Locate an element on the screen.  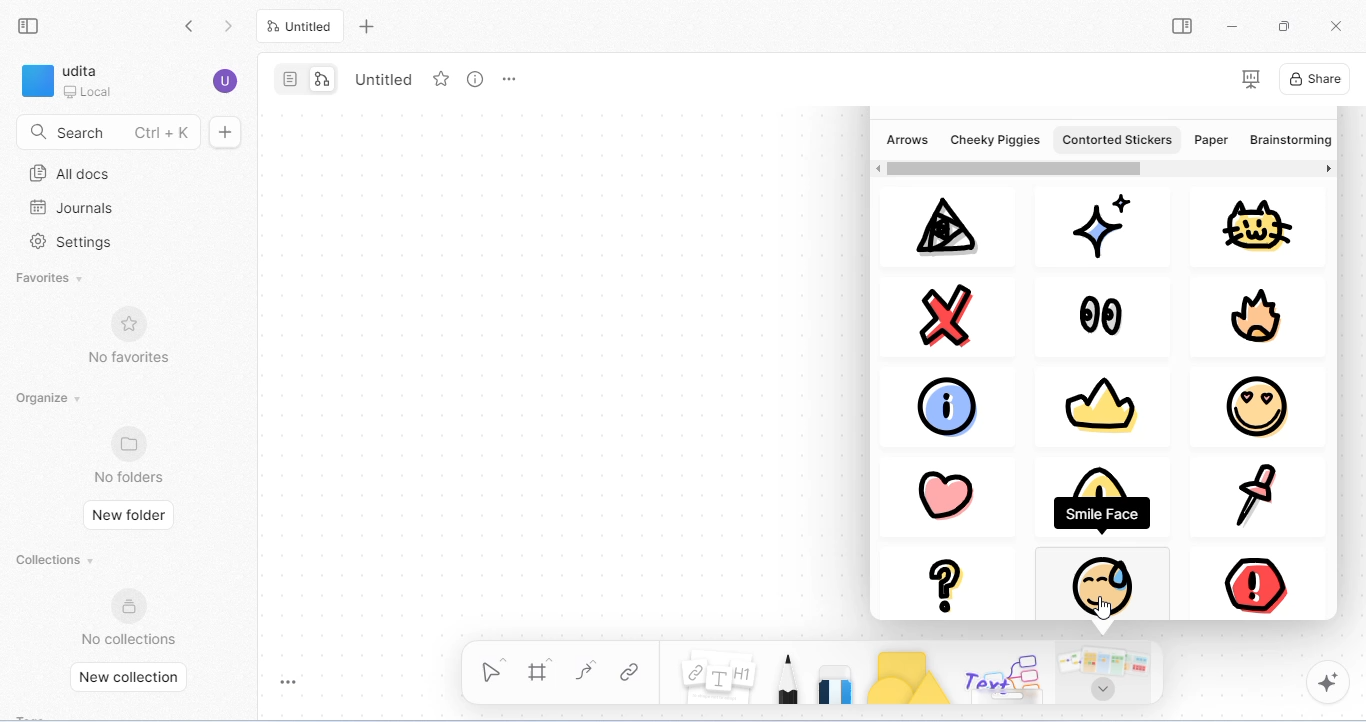
love face is located at coordinates (1255, 406).